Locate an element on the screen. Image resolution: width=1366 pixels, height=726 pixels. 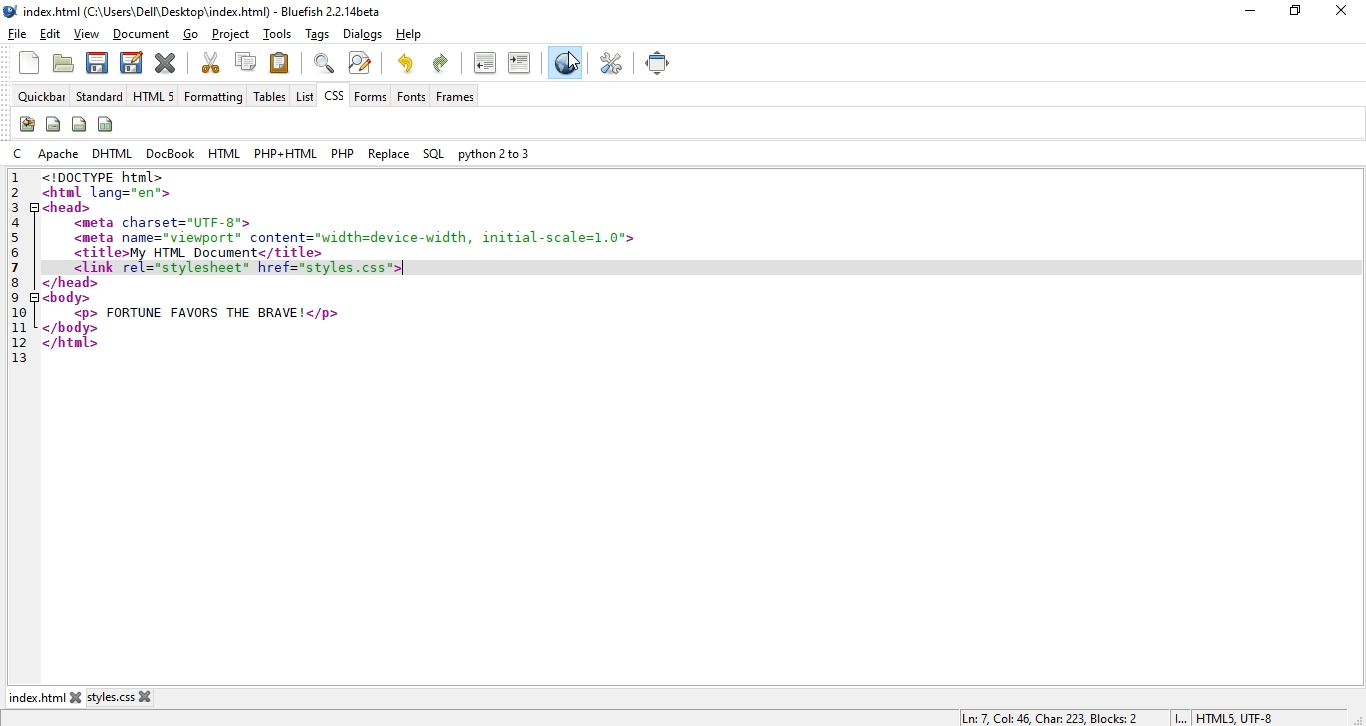
span is located at coordinates (53, 123).